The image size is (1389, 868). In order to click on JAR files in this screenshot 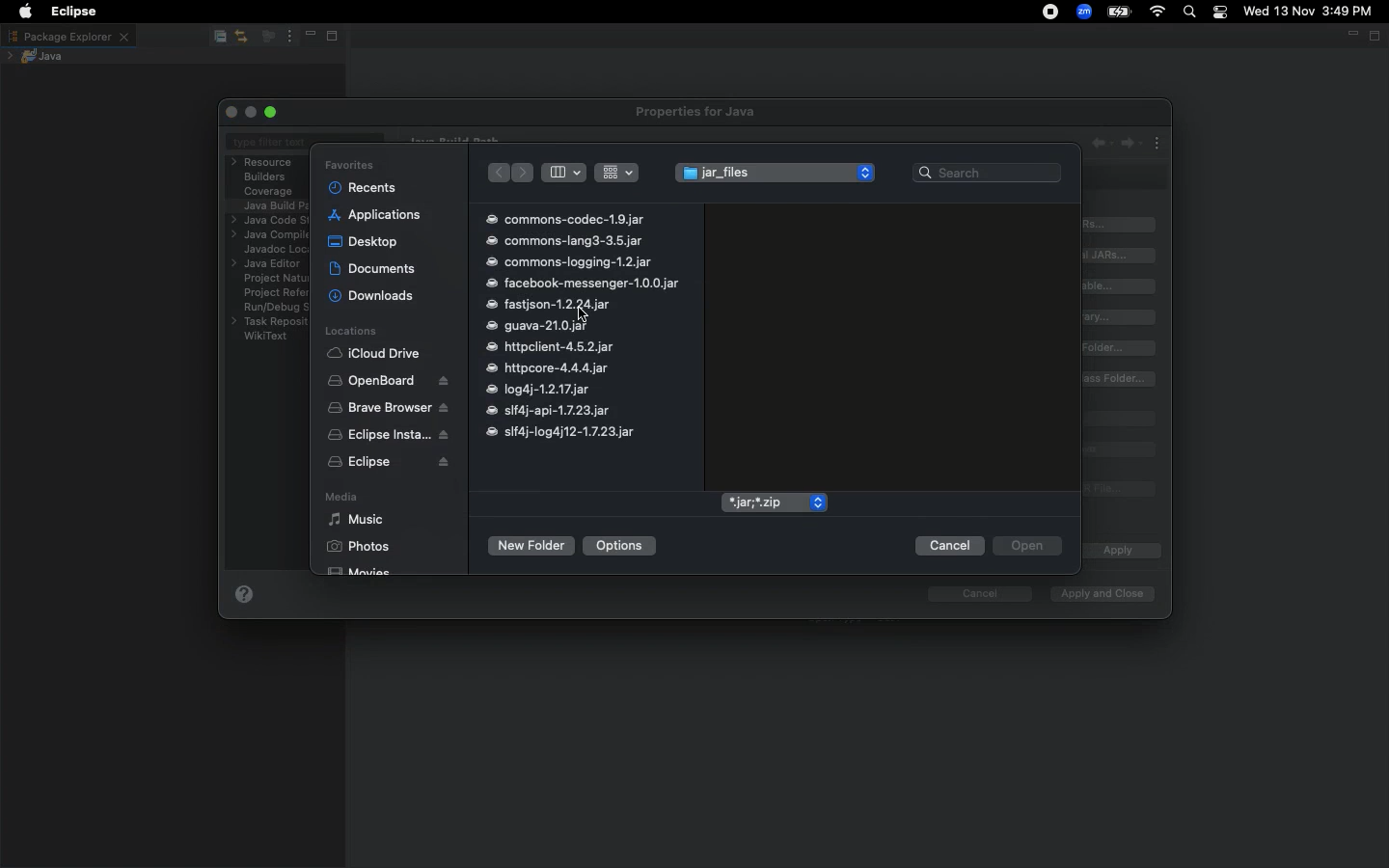, I will do `click(760, 176)`.